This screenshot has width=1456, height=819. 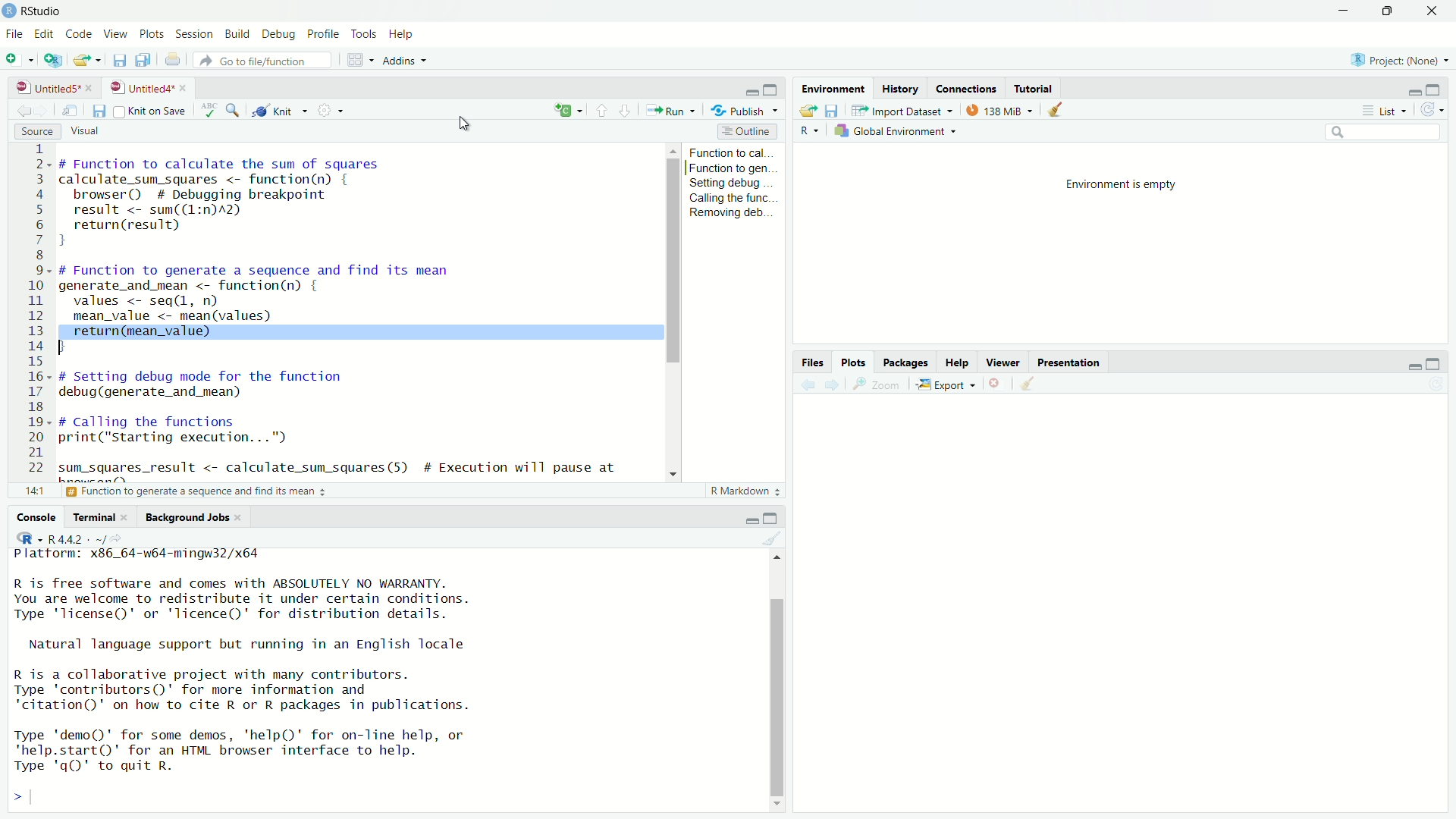 What do you see at coordinates (1407, 363) in the screenshot?
I see `minimize` at bounding box center [1407, 363].